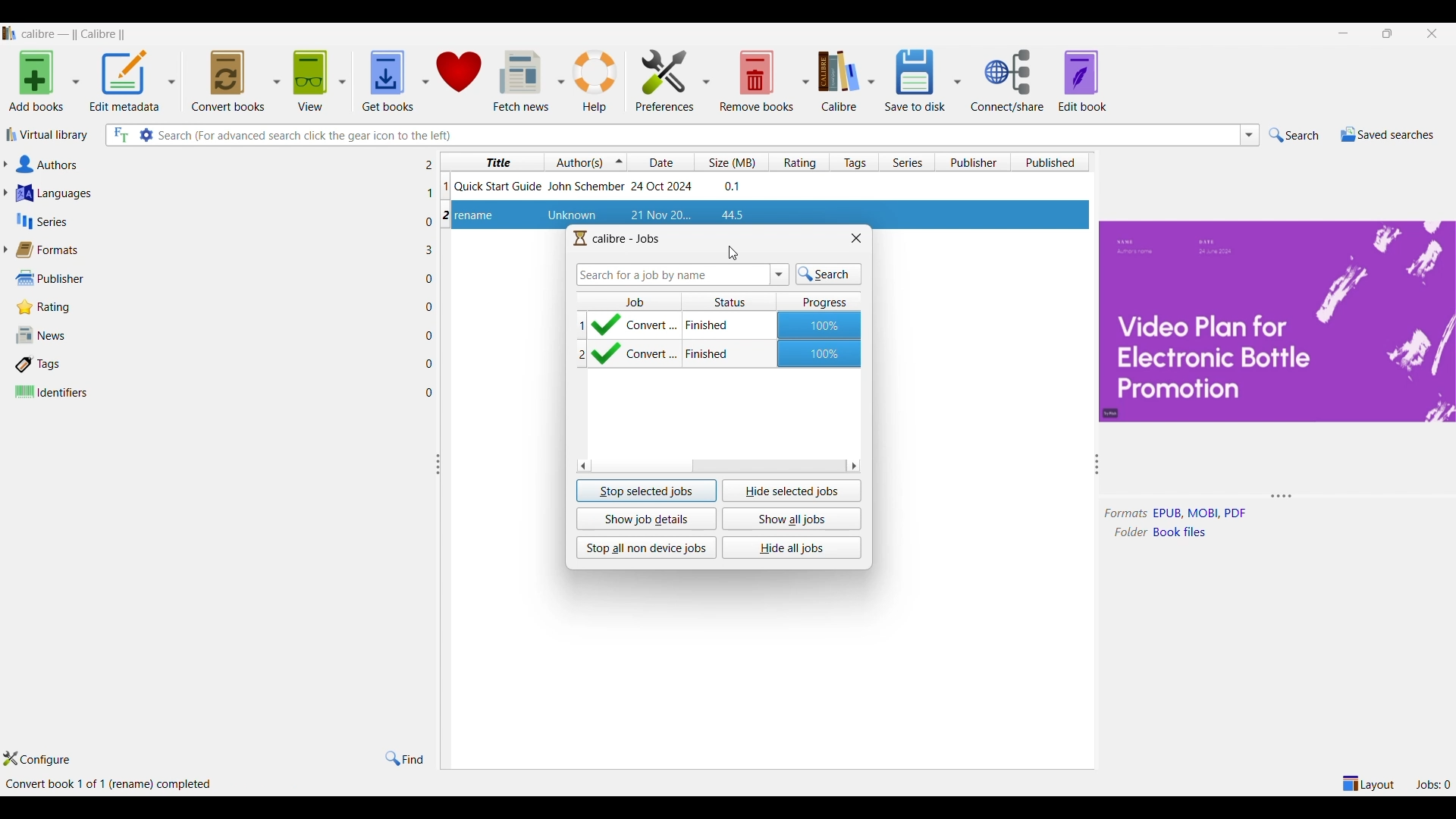 Image resolution: width=1456 pixels, height=819 pixels. I want to click on File highlighted after selection, so click(767, 212).